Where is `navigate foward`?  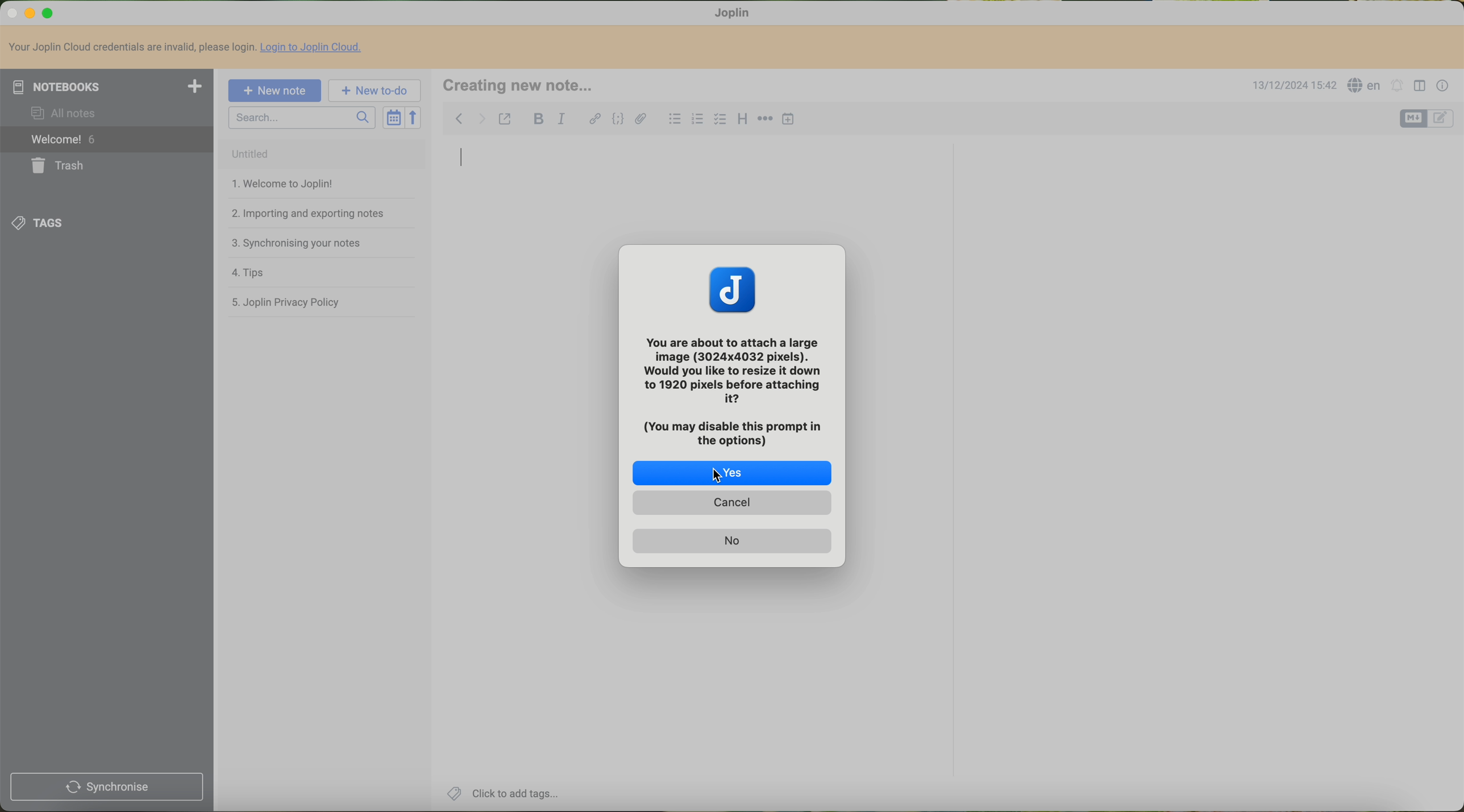
navigate foward is located at coordinates (482, 119).